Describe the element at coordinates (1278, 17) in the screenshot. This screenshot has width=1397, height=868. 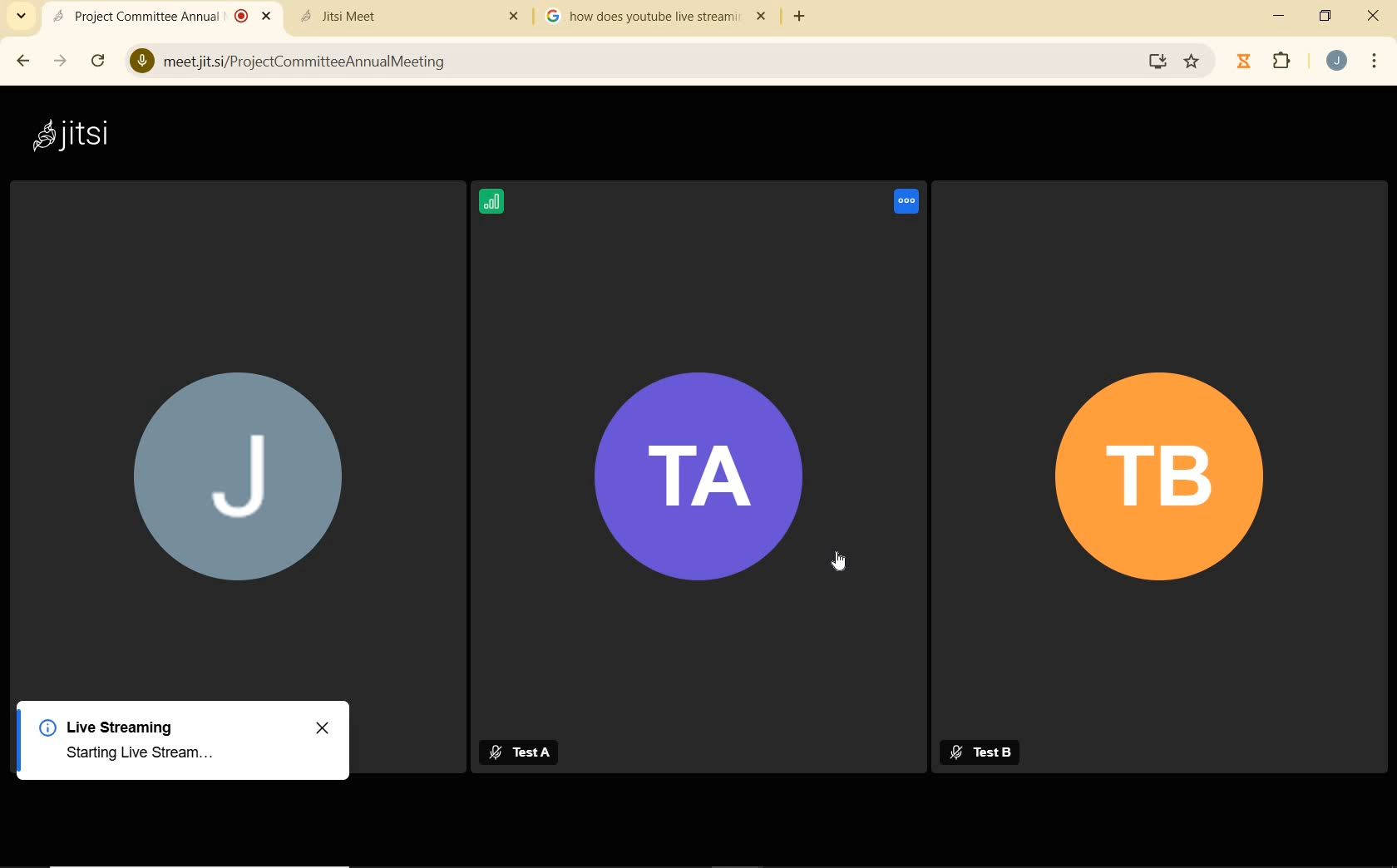
I see `minimize` at that location.